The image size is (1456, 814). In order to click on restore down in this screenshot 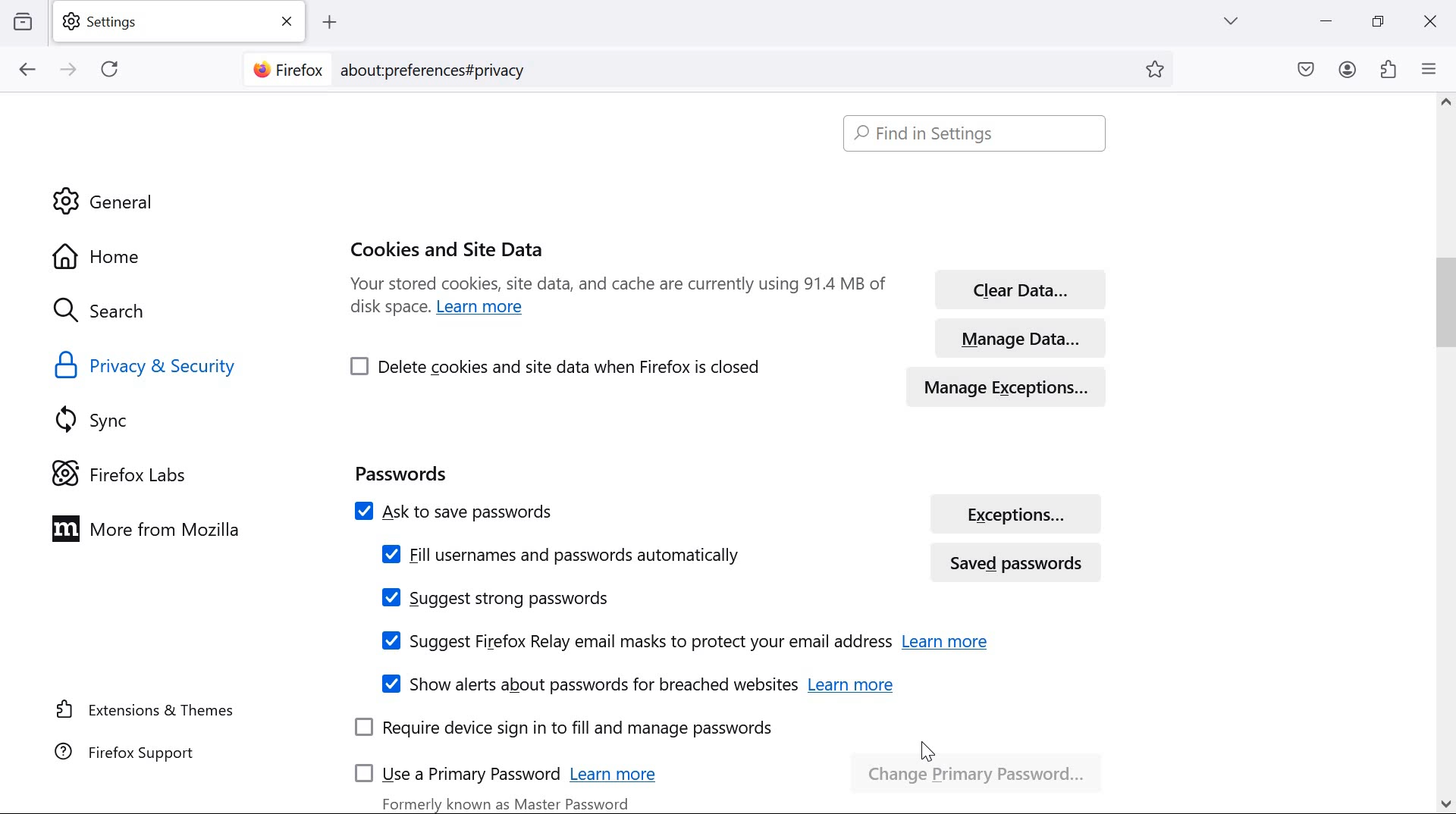, I will do `click(1379, 20)`.